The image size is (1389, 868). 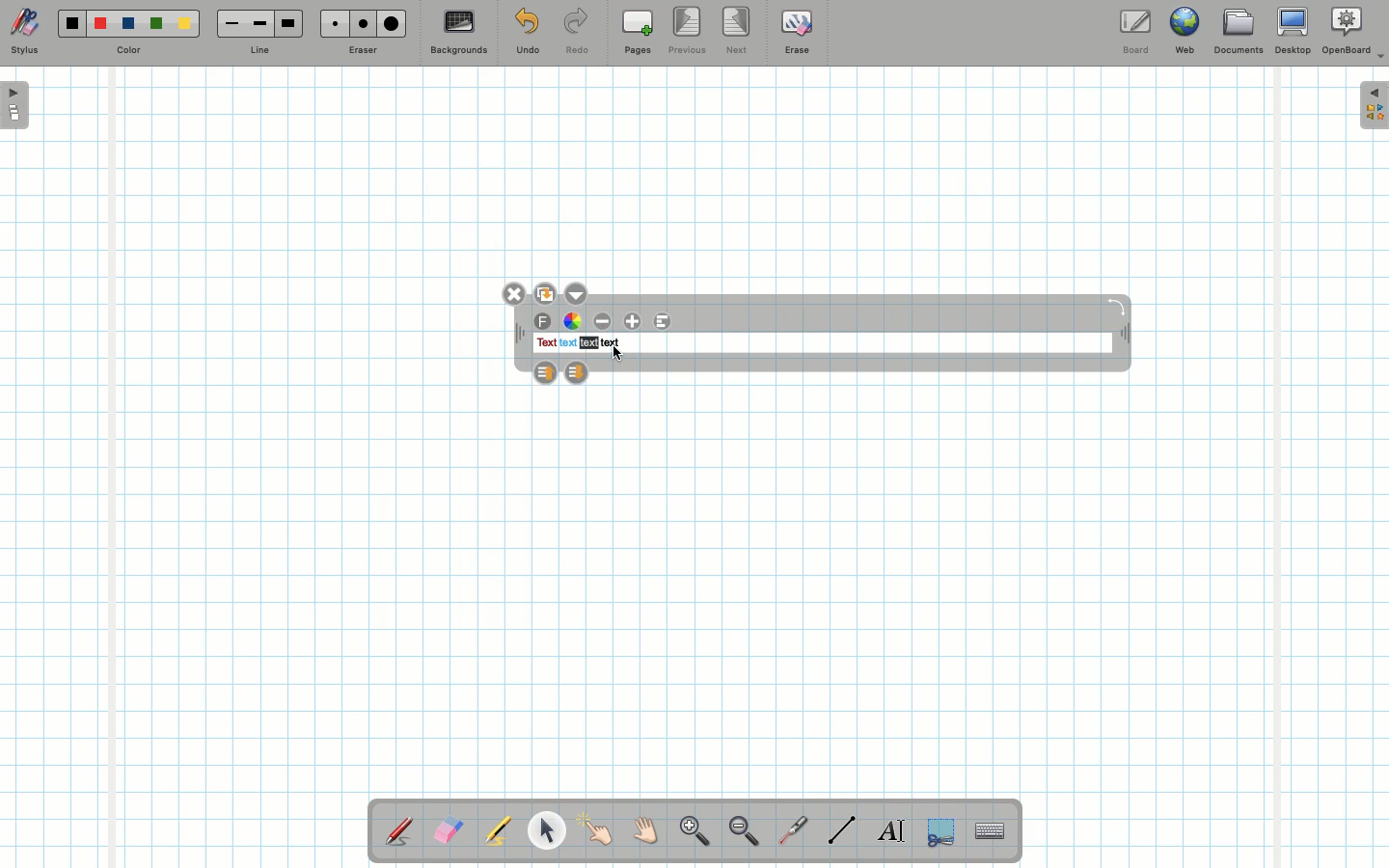 What do you see at coordinates (1238, 34) in the screenshot?
I see `Documents` at bounding box center [1238, 34].